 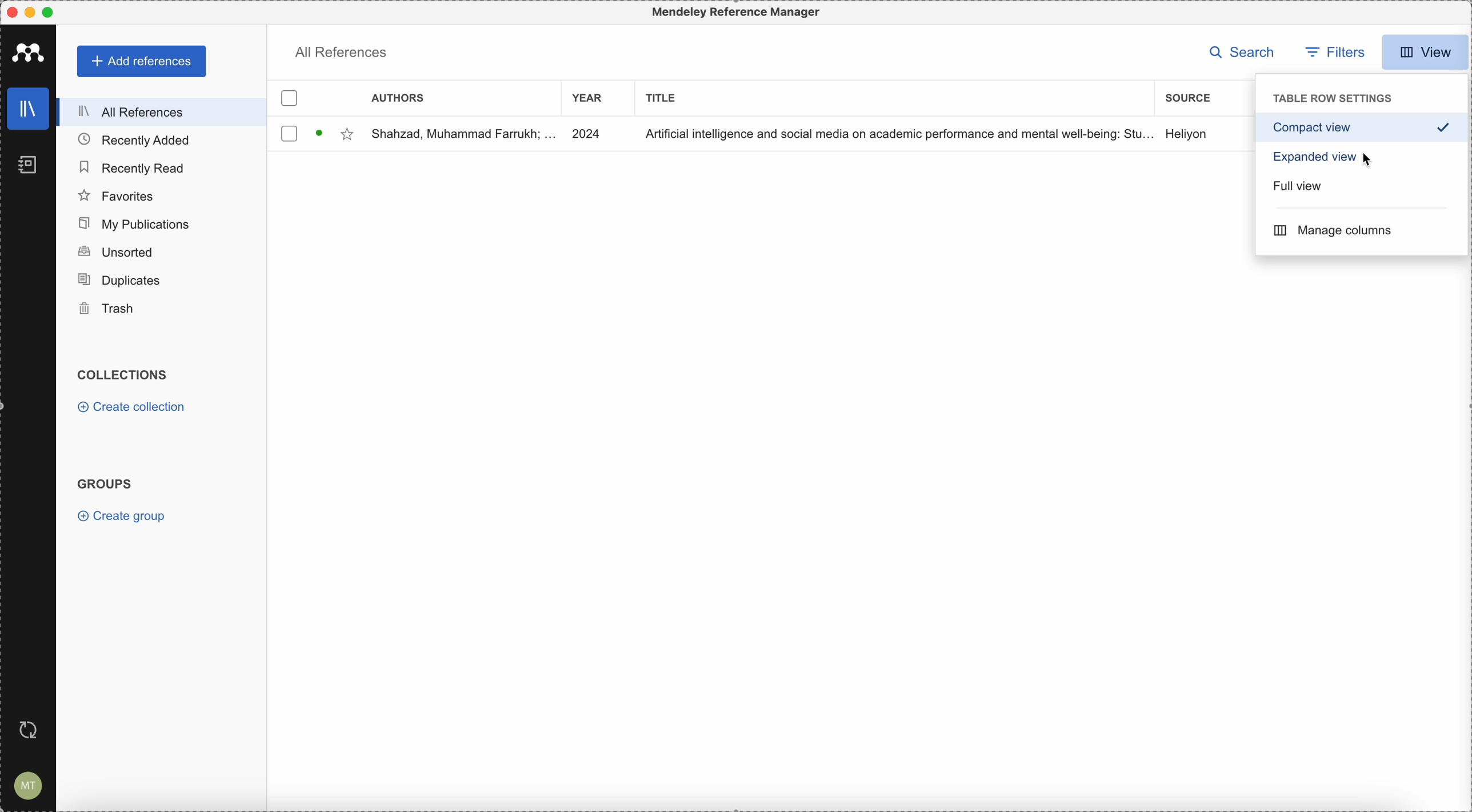 What do you see at coordinates (134, 407) in the screenshot?
I see `create collection` at bounding box center [134, 407].